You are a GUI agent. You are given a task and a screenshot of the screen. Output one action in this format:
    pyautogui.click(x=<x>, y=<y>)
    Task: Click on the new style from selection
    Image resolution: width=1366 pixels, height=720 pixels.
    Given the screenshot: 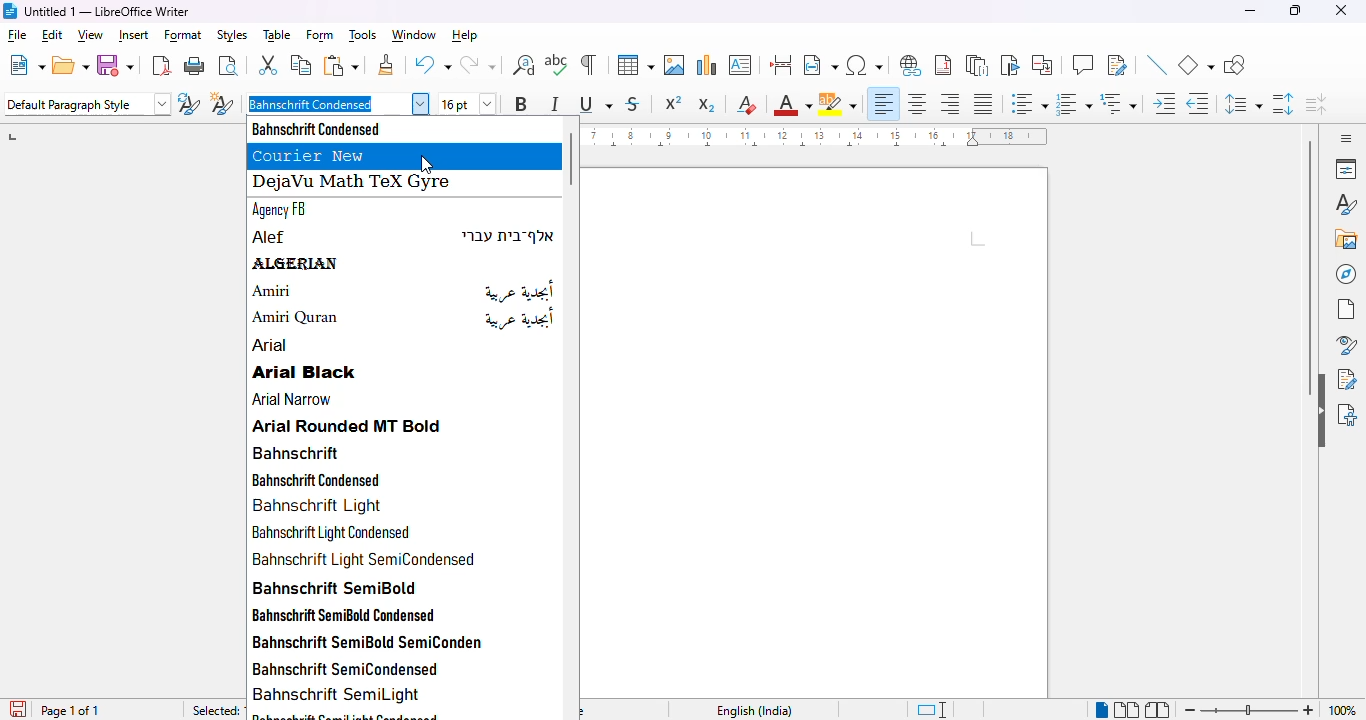 What is the action you would take?
    pyautogui.click(x=224, y=105)
    